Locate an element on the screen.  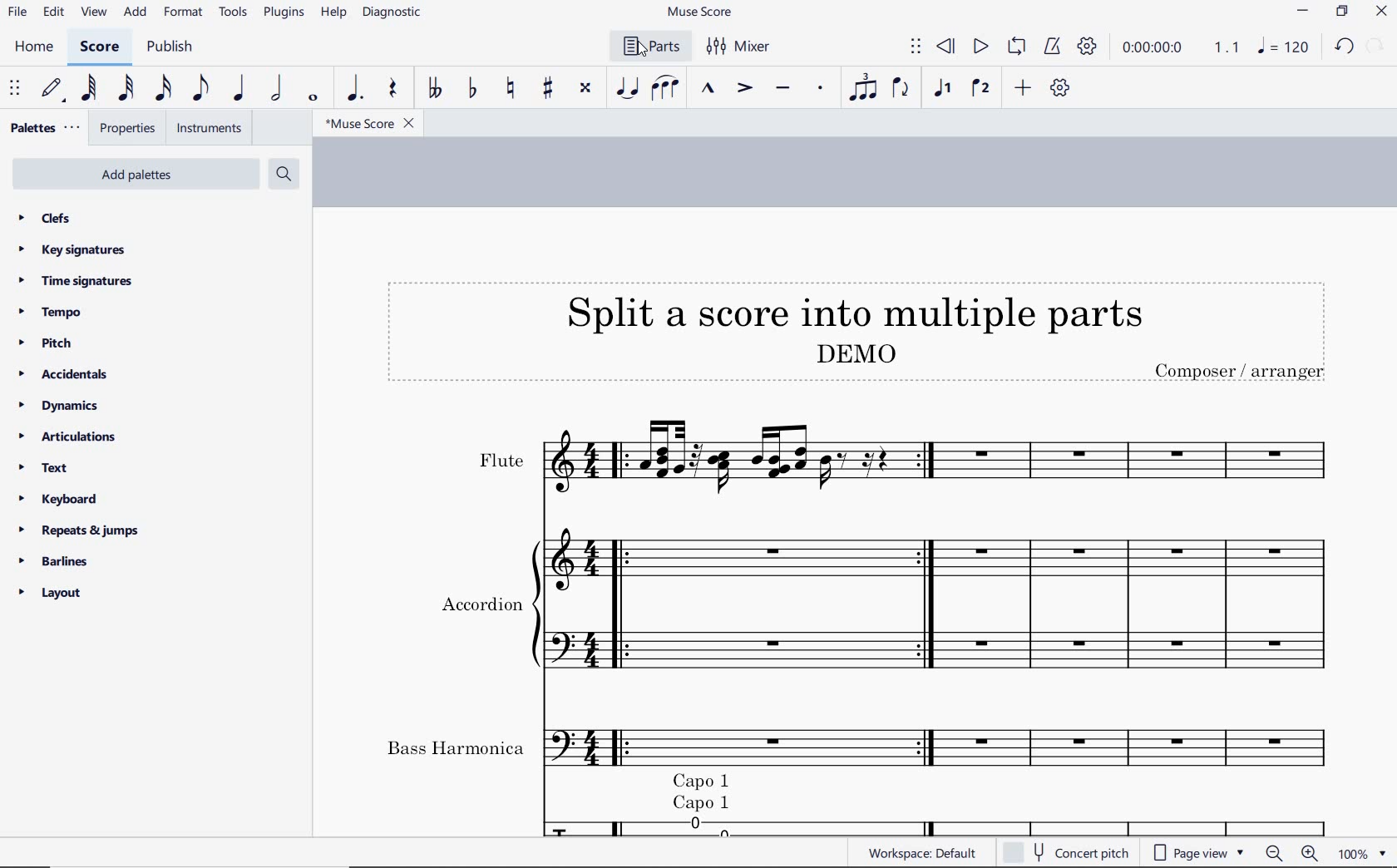
dynamics is located at coordinates (57, 406).